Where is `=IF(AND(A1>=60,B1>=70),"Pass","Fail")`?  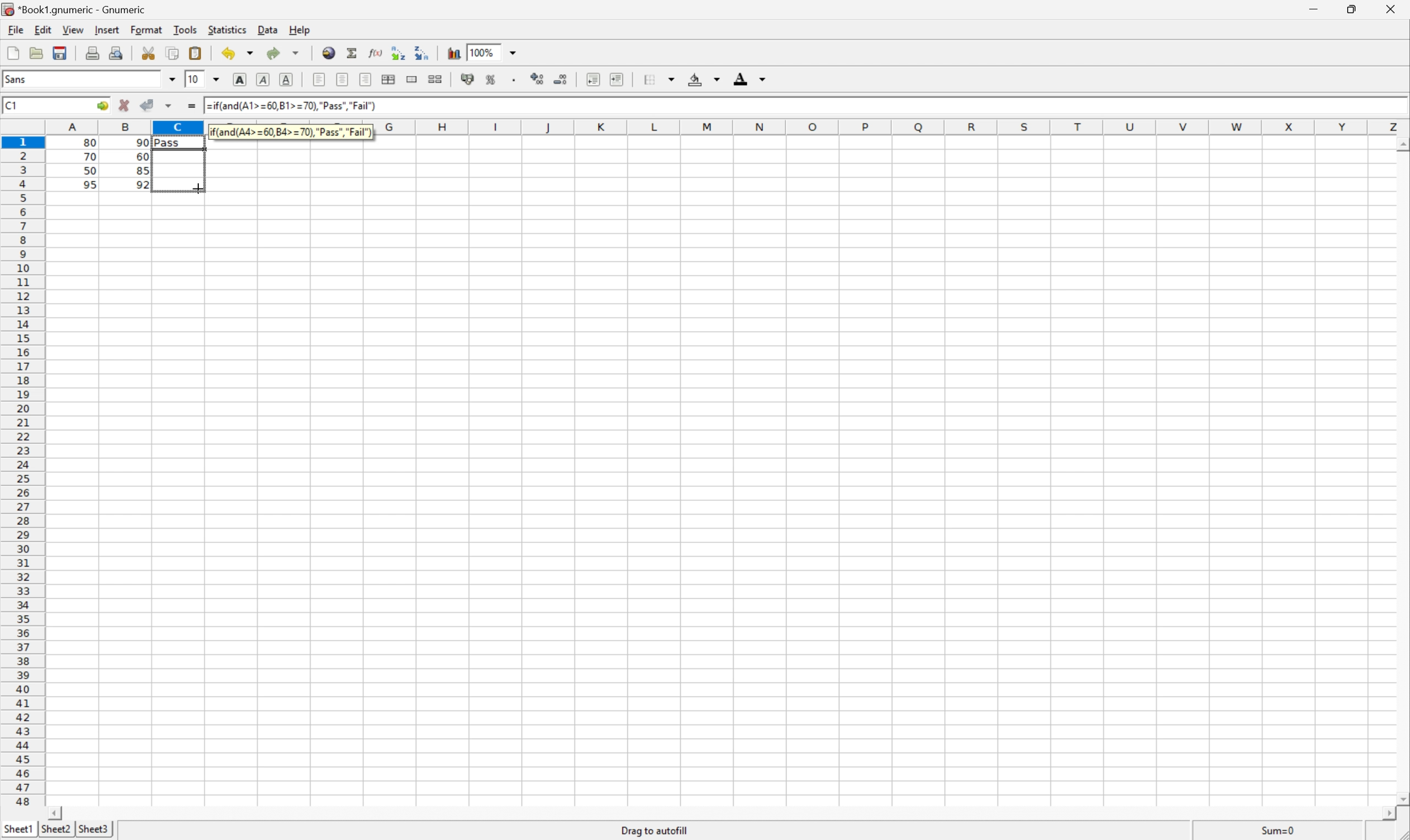 =IF(AND(A1>=60,B1>=70),"Pass","Fail") is located at coordinates (291, 130).